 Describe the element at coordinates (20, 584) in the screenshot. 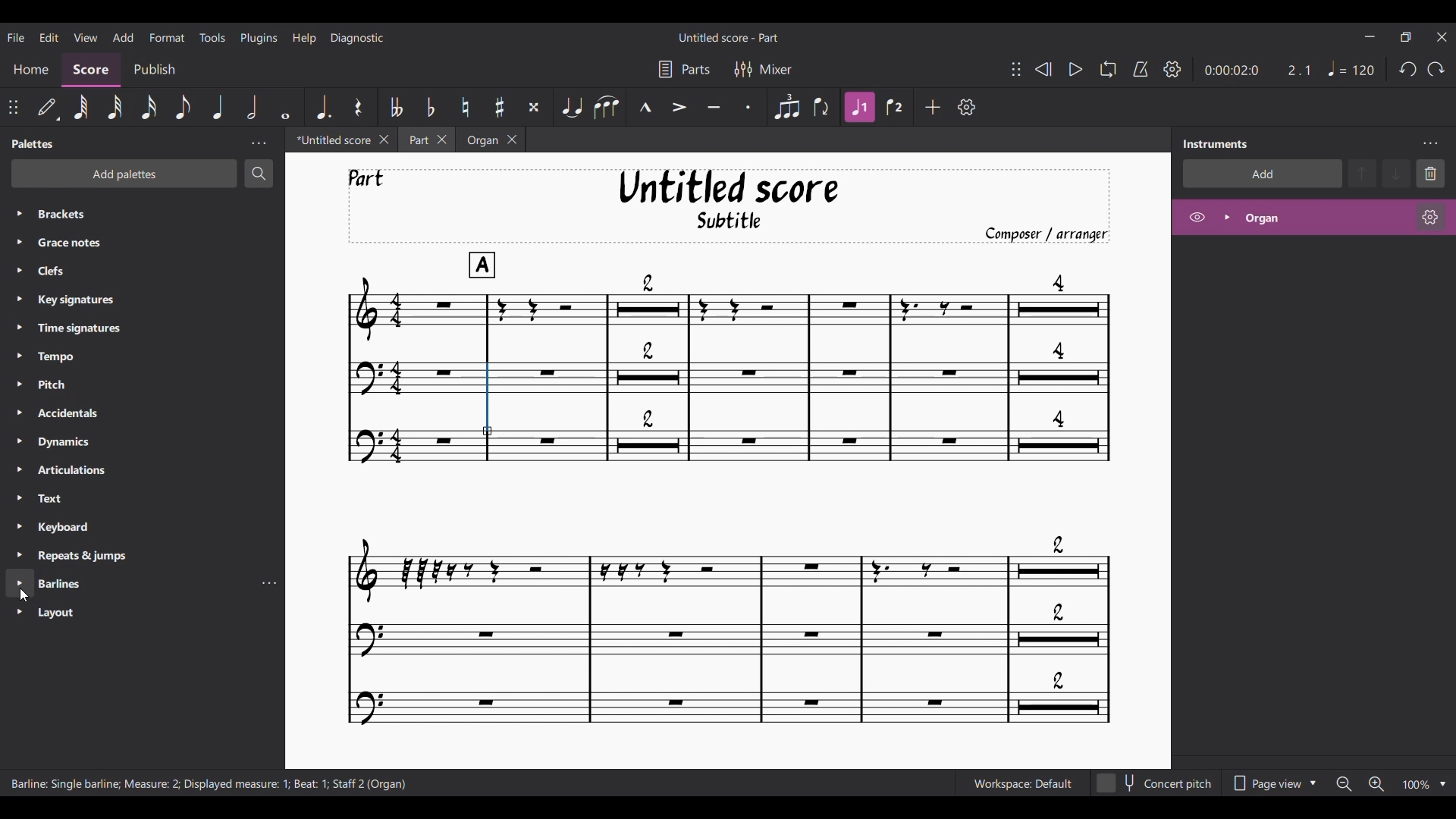

I see `Cursor selection highlighted` at that location.